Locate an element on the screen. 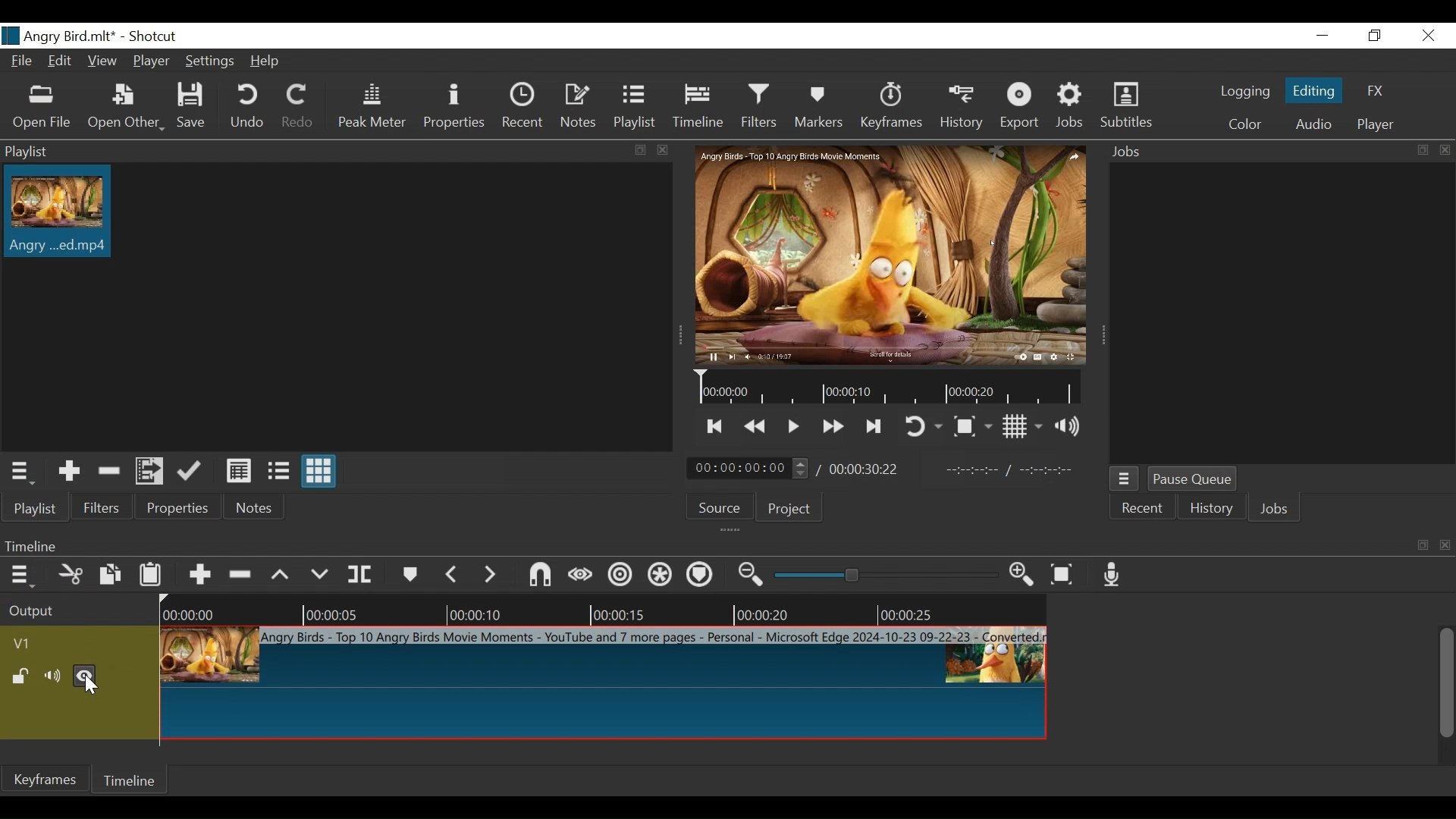  Markers is located at coordinates (818, 106).